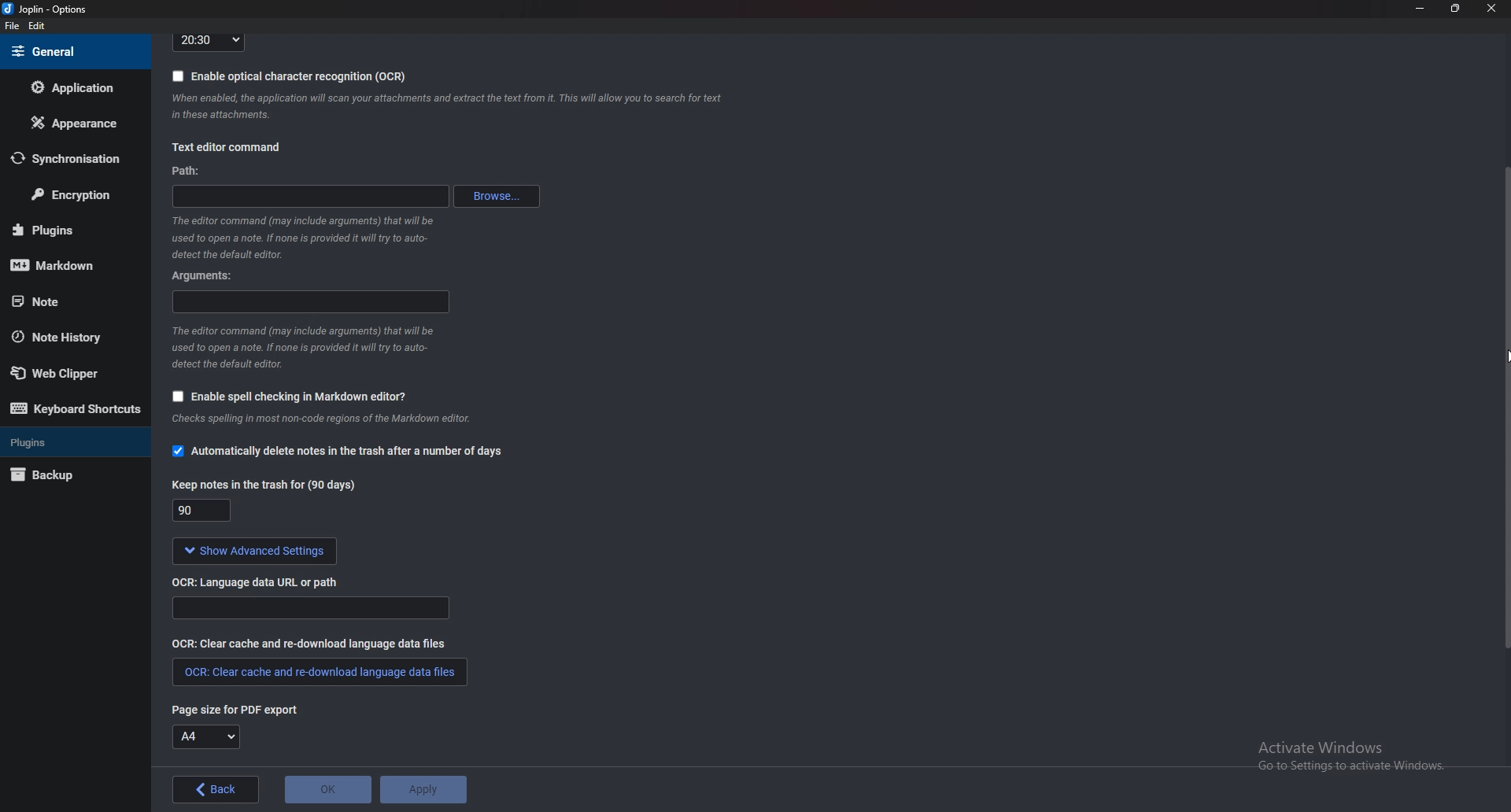 The width and height of the screenshot is (1511, 812). I want to click on Automatically delete notes, so click(337, 453).